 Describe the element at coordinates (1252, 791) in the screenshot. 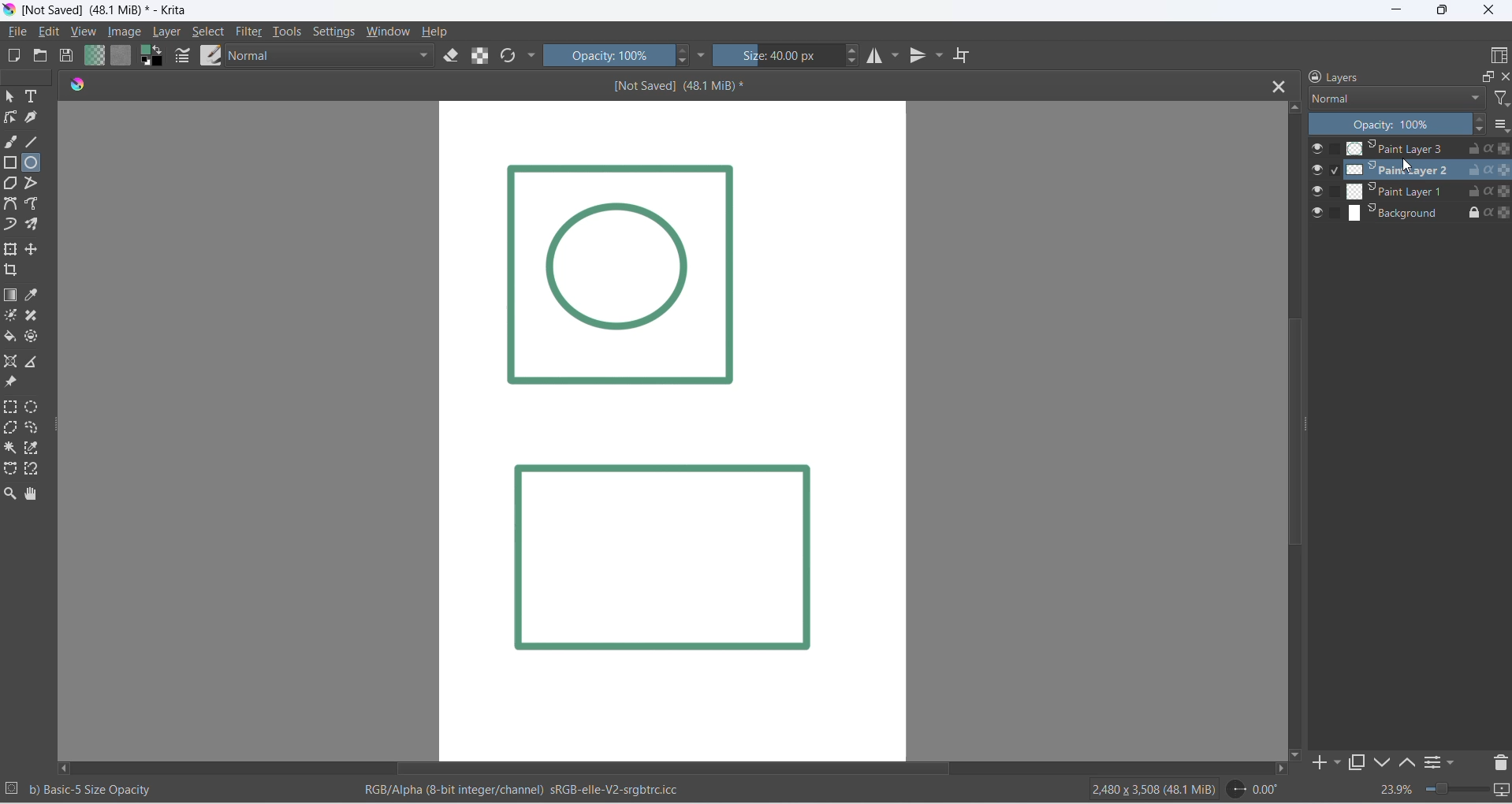

I see `0.00` at that location.